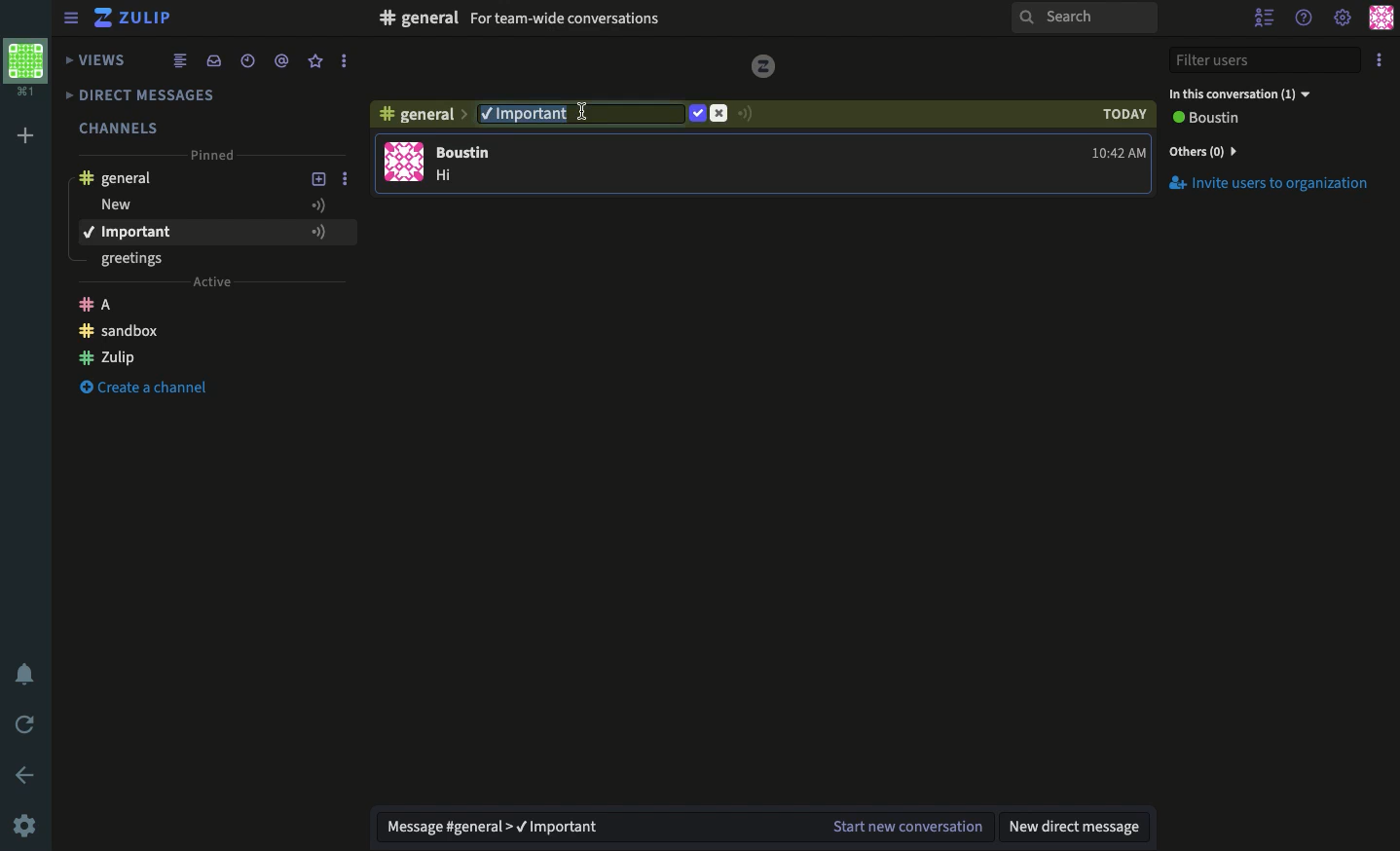 The width and height of the screenshot is (1400, 851). Describe the element at coordinates (285, 60) in the screenshot. I see `Mention` at that location.